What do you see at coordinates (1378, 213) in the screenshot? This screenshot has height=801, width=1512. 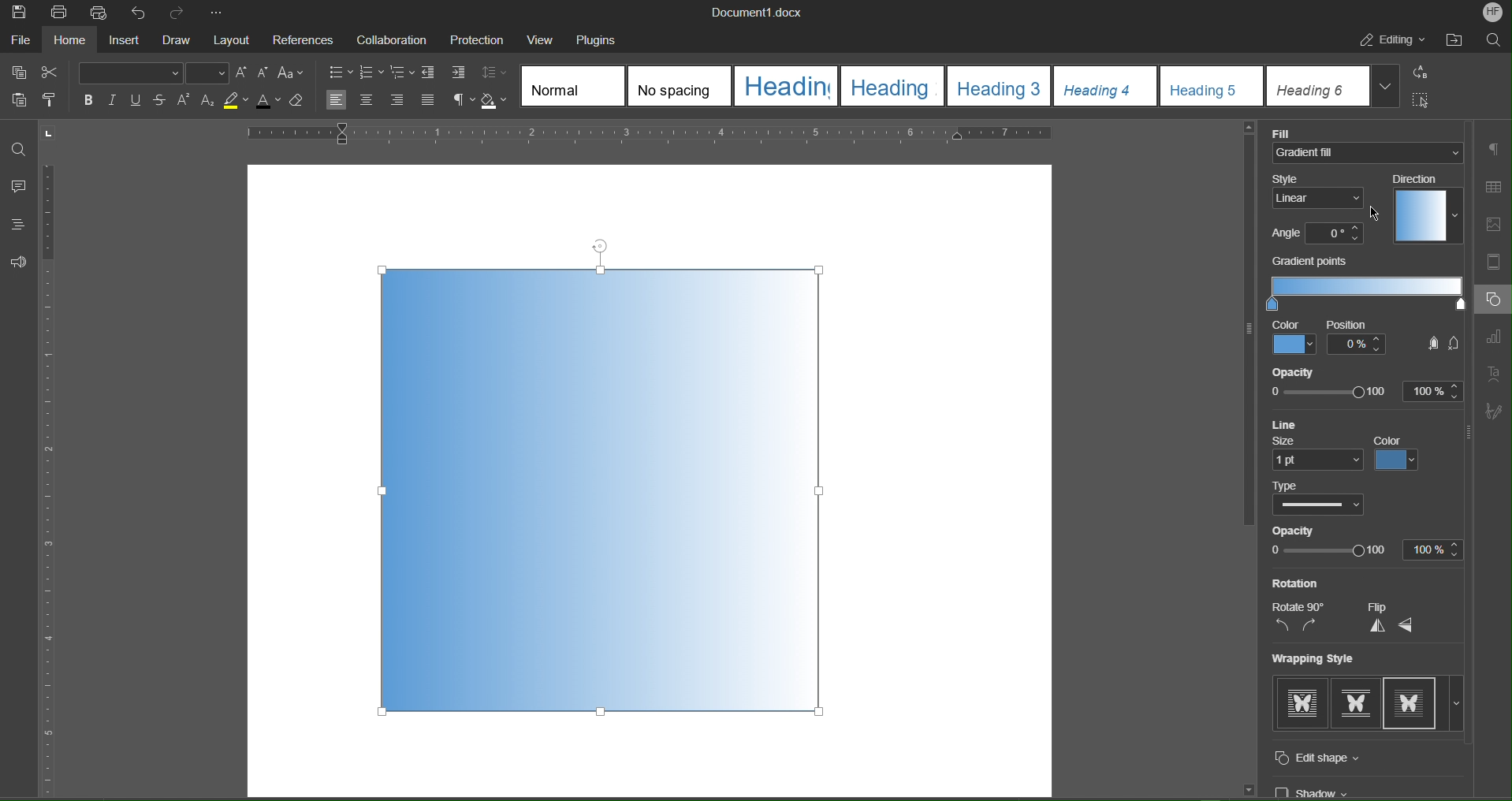 I see `cursor` at bounding box center [1378, 213].